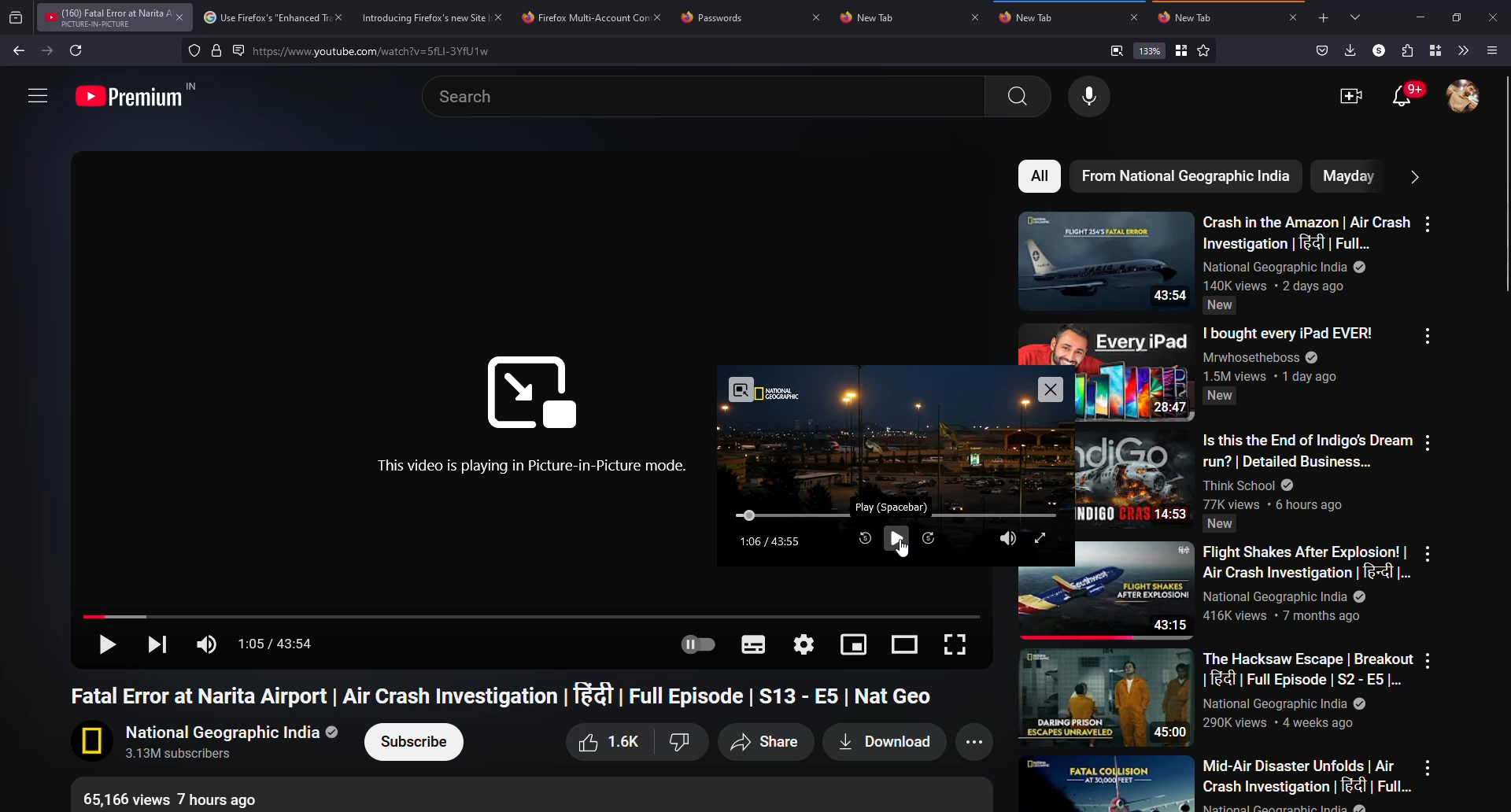 This screenshot has width=1511, height=812. What do you see at coordinates (1106, 260) in the screenshot?
I see `Video thumbnail` at bounding box center [1106, 260].